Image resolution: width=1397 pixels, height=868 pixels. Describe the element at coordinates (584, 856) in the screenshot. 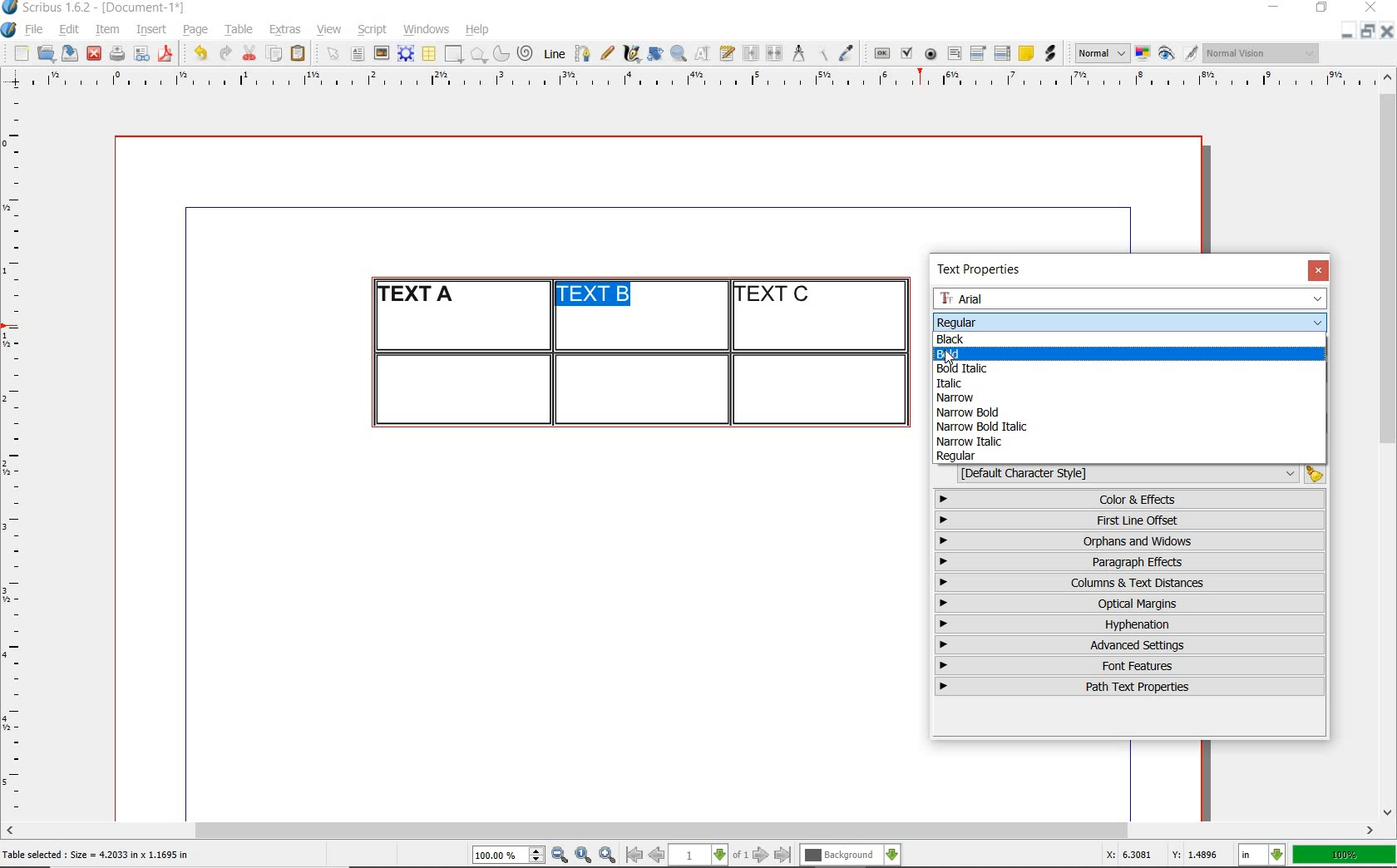

I see `zoom to` at that location.